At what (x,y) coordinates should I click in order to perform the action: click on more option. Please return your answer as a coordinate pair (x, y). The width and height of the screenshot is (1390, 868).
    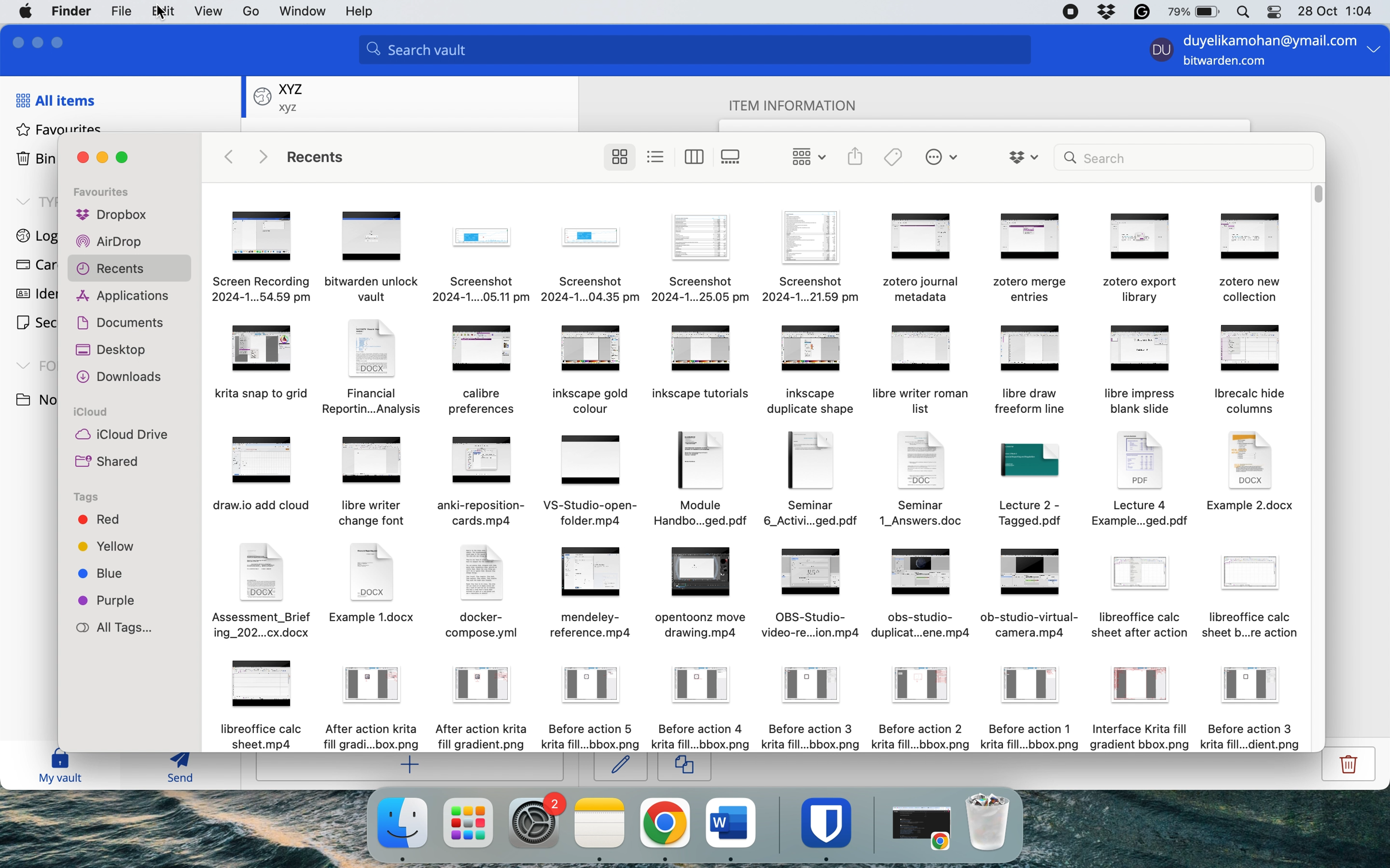
    Looking at the image, I should click on (1374, 52).